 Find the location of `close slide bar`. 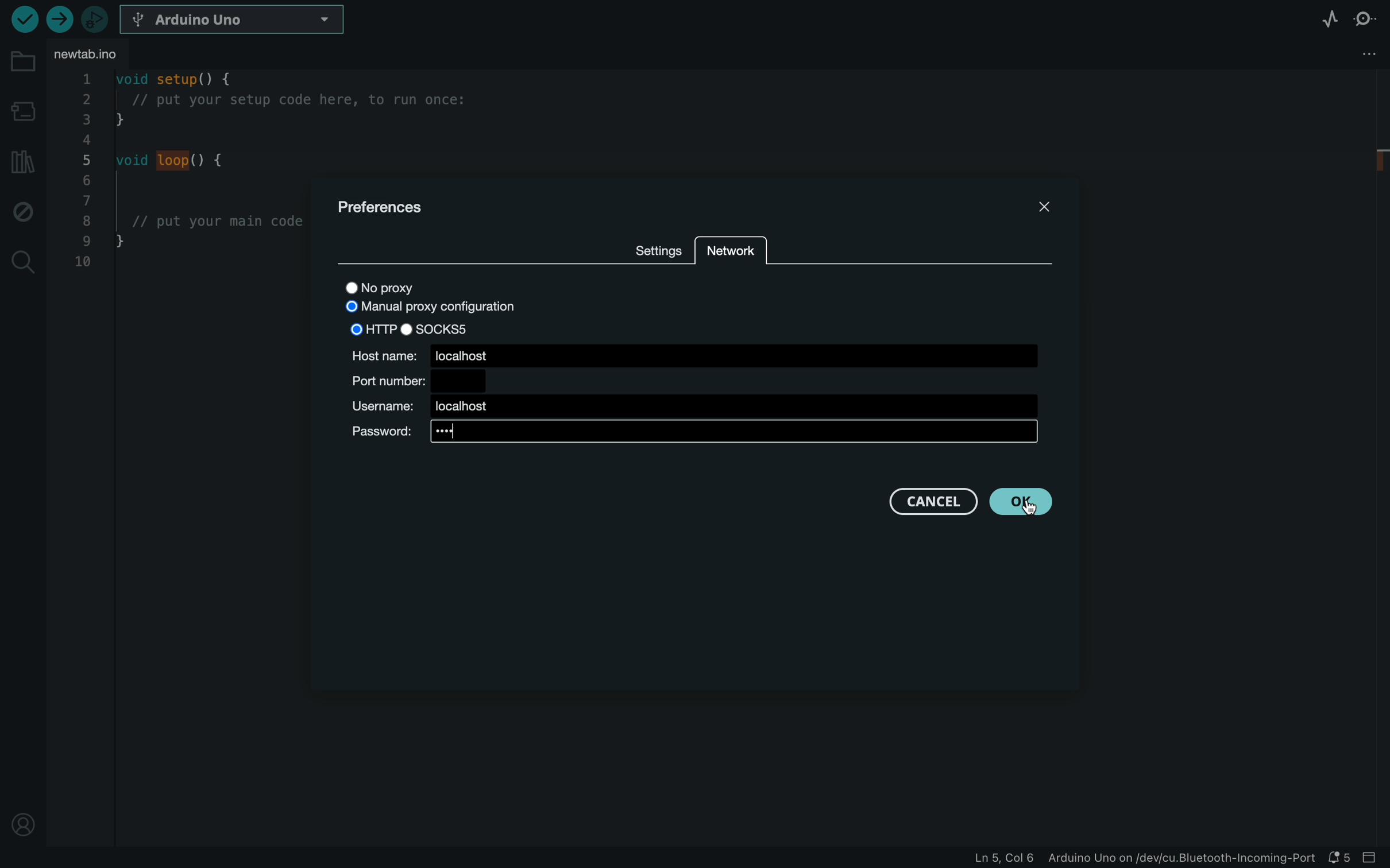

close slide bar is located at coordinates (1373, 858).